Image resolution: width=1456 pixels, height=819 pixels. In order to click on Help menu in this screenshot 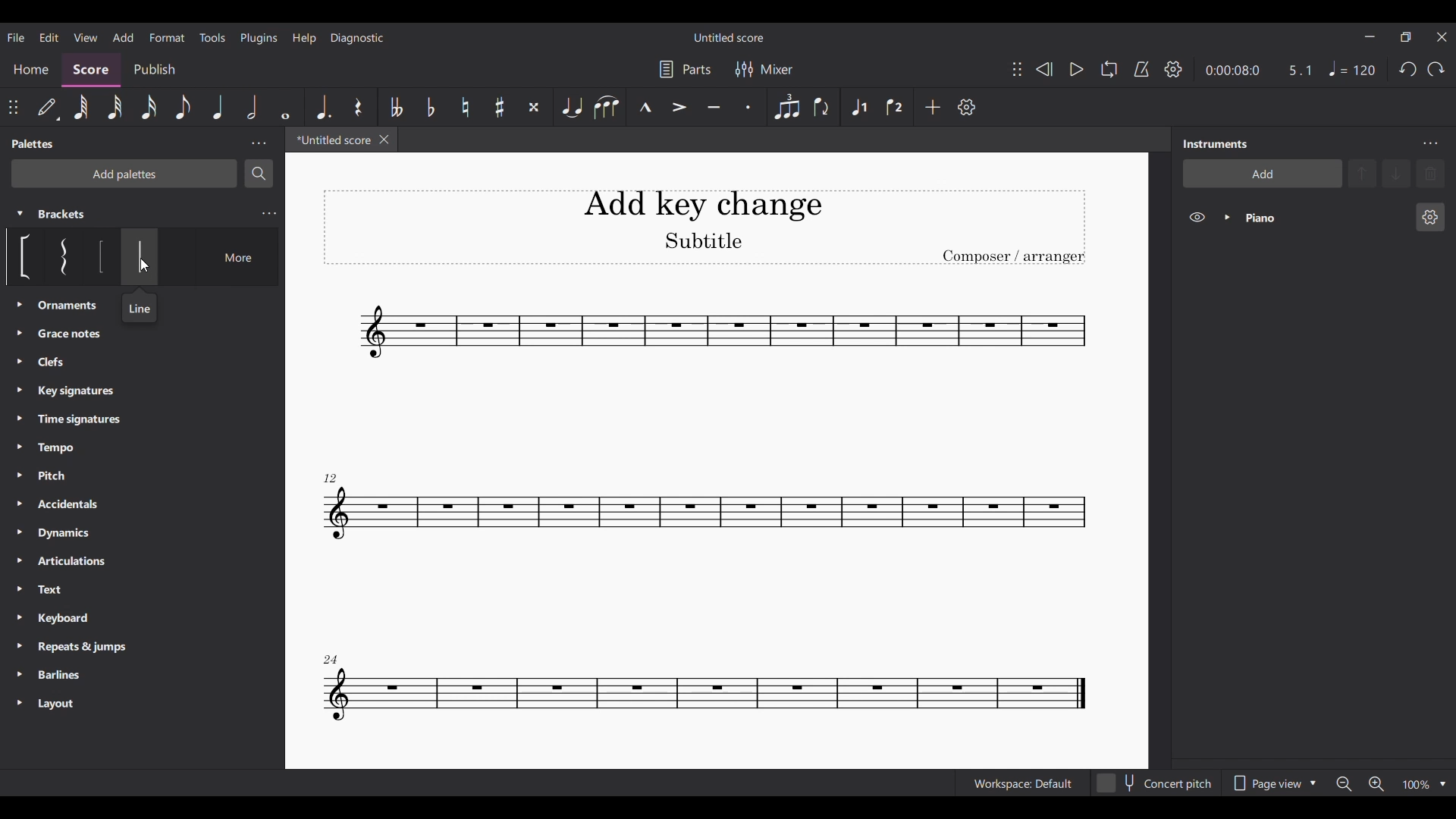, I will do `click(303, 39)`.